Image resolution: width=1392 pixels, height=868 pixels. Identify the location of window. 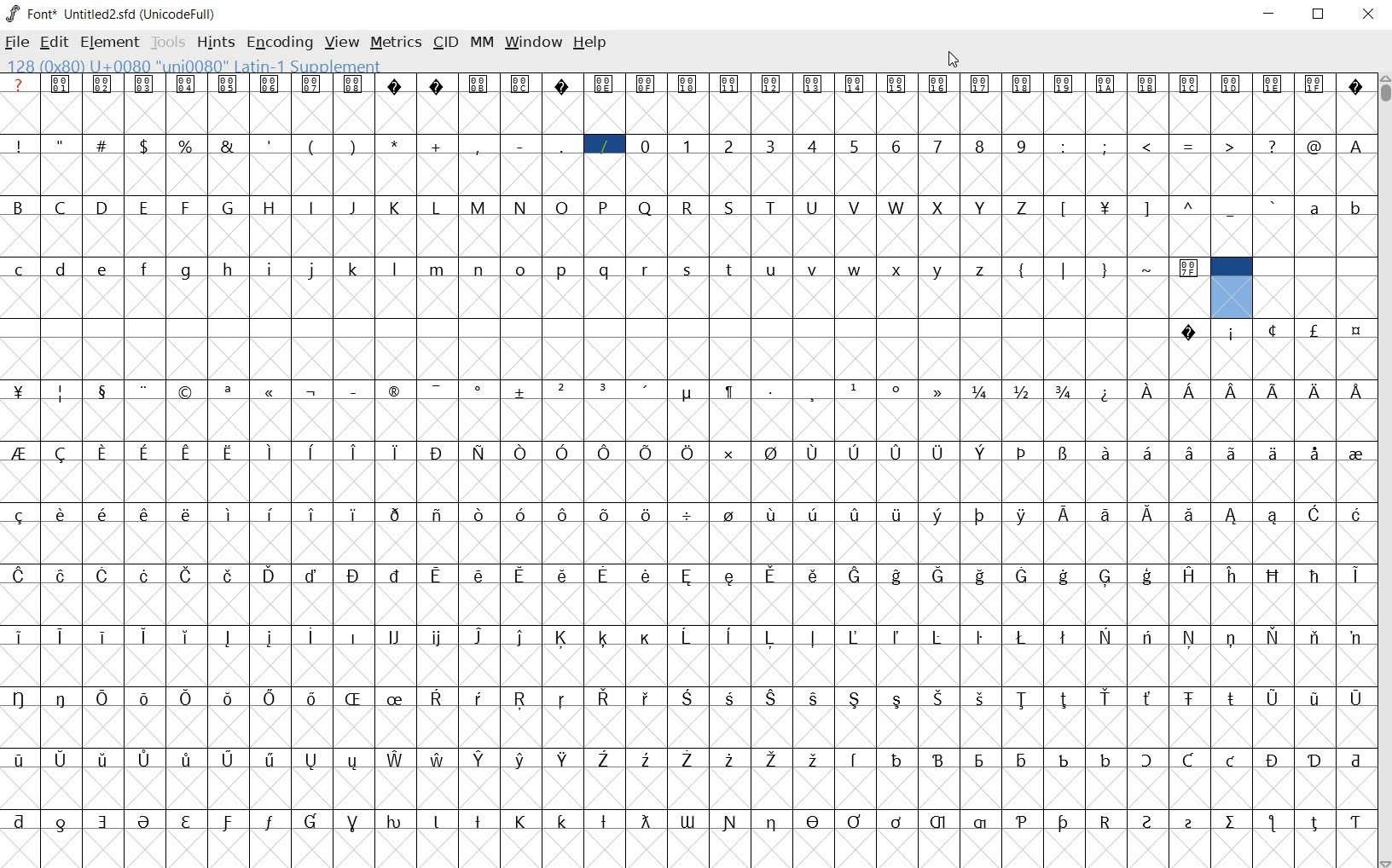
(533, 43).